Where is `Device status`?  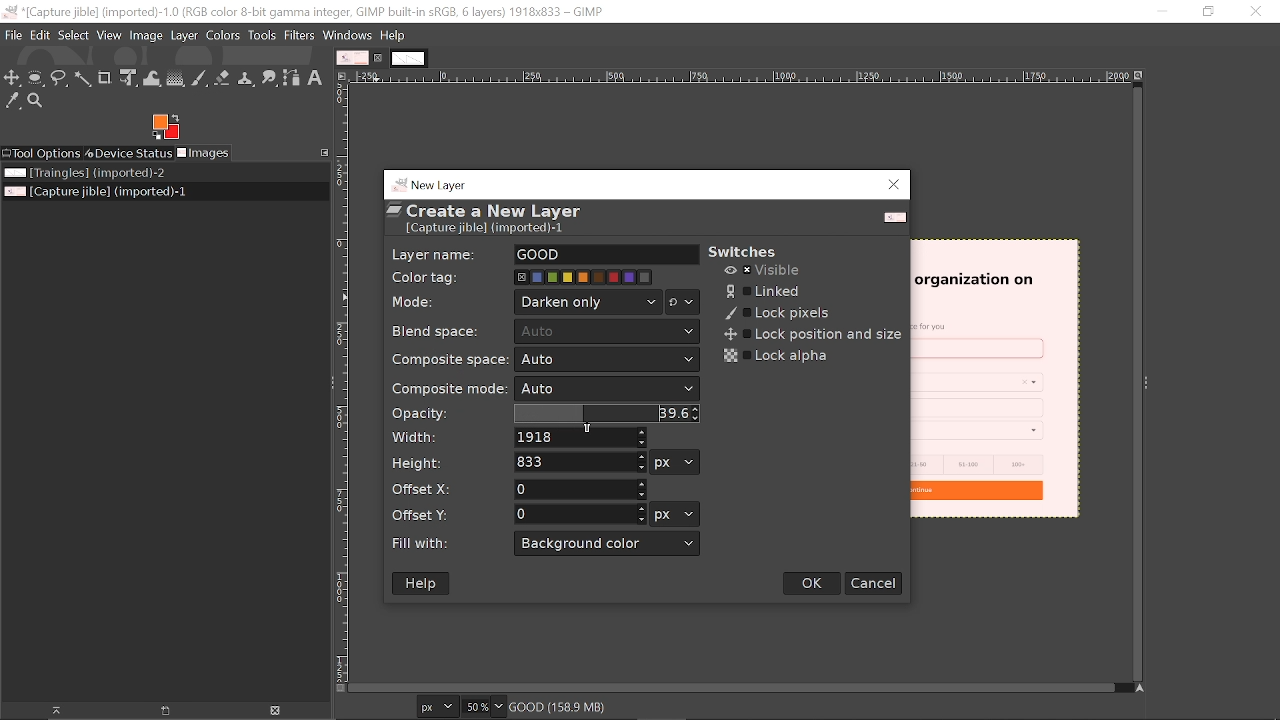
Device status is located at coordinates (127, 154).